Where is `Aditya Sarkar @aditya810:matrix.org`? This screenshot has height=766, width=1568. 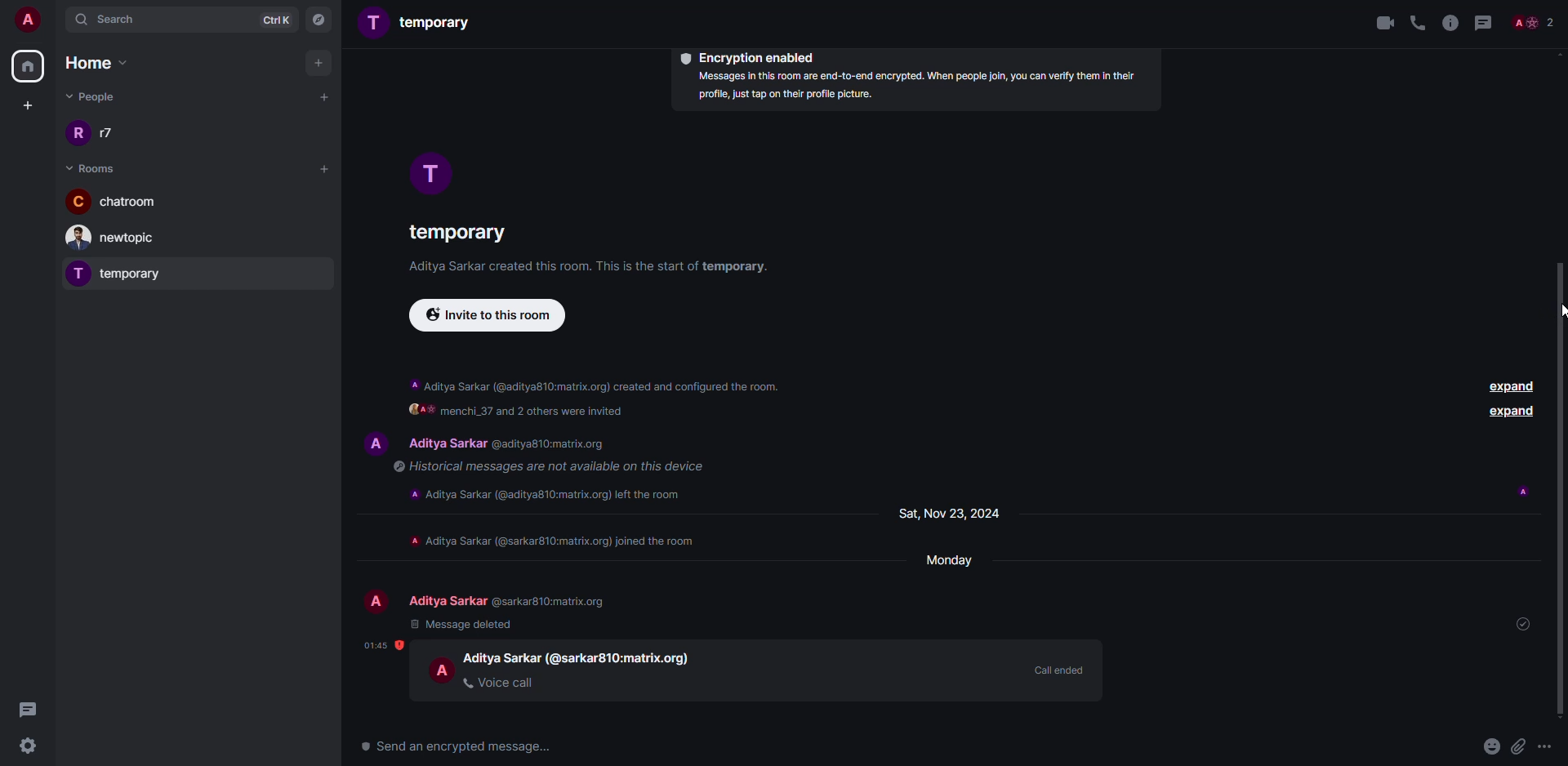 Aditya Sarkar @aditya810:matrix.org is located at coordinates (590, 659).